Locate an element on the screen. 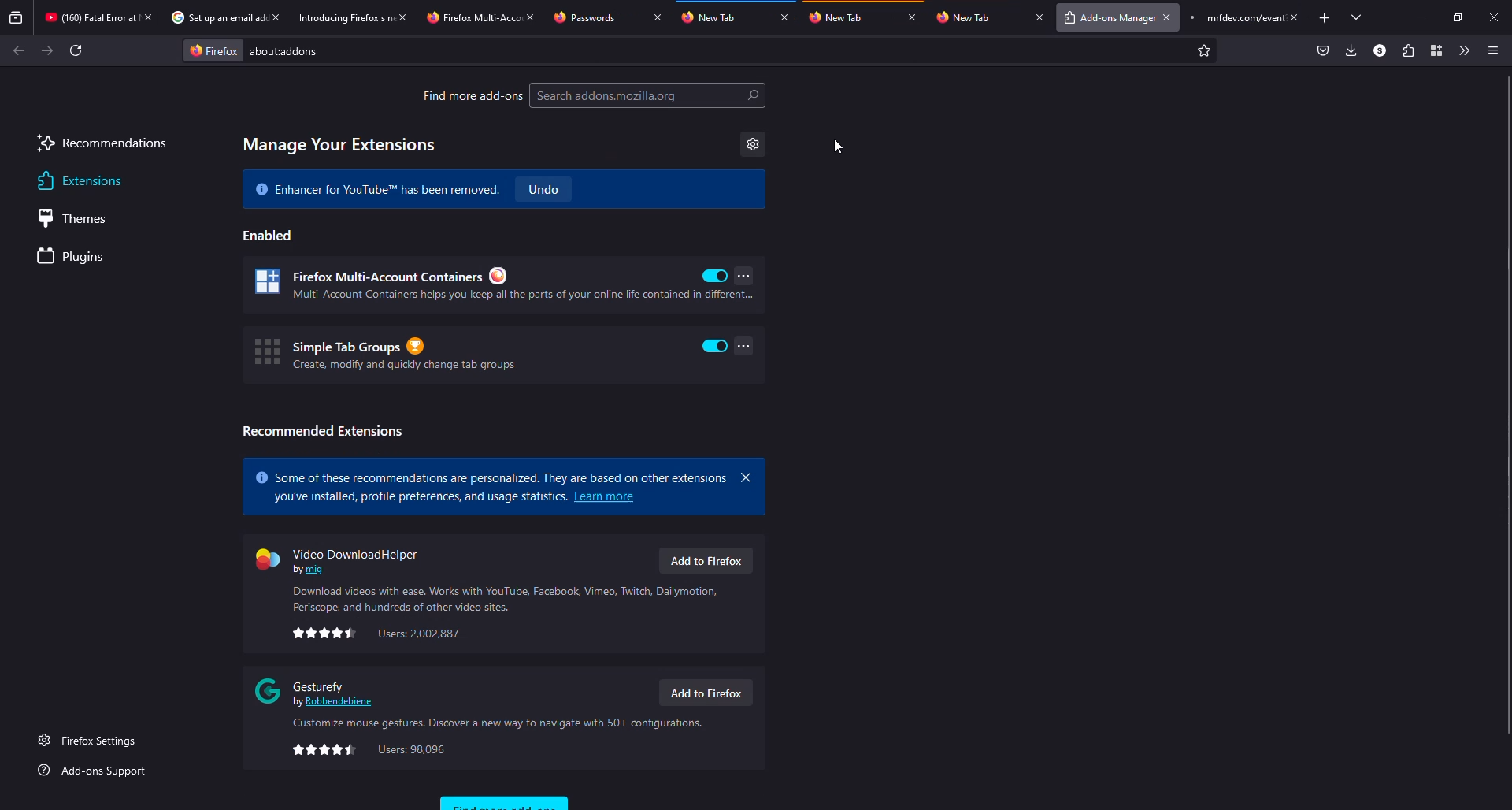 This screenshot has height=810, width=1512. recommended is located at coordinates (324, 431).